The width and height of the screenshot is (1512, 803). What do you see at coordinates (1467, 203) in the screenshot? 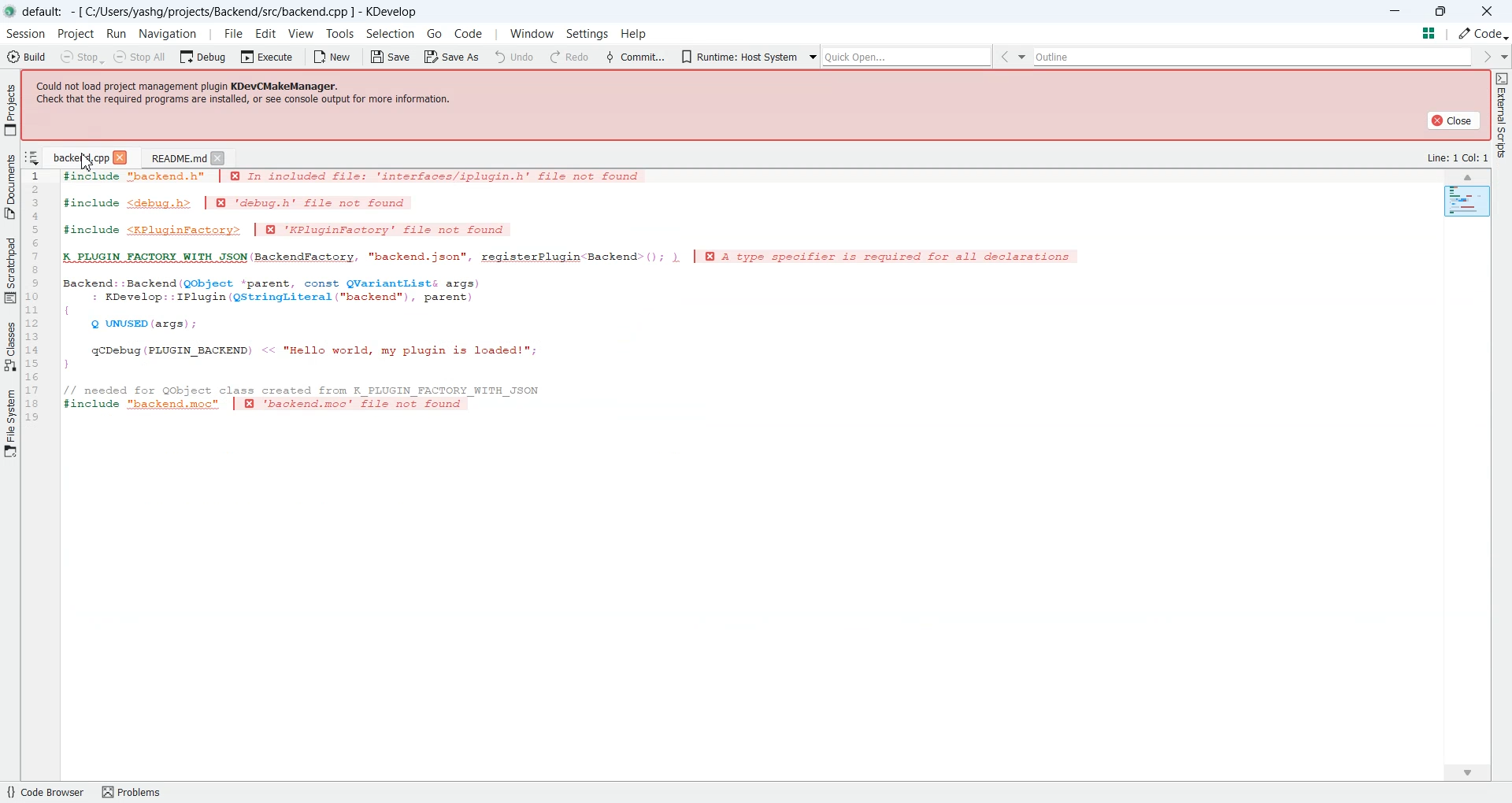
I see `File Overview` at bounding box center [1467, 203].